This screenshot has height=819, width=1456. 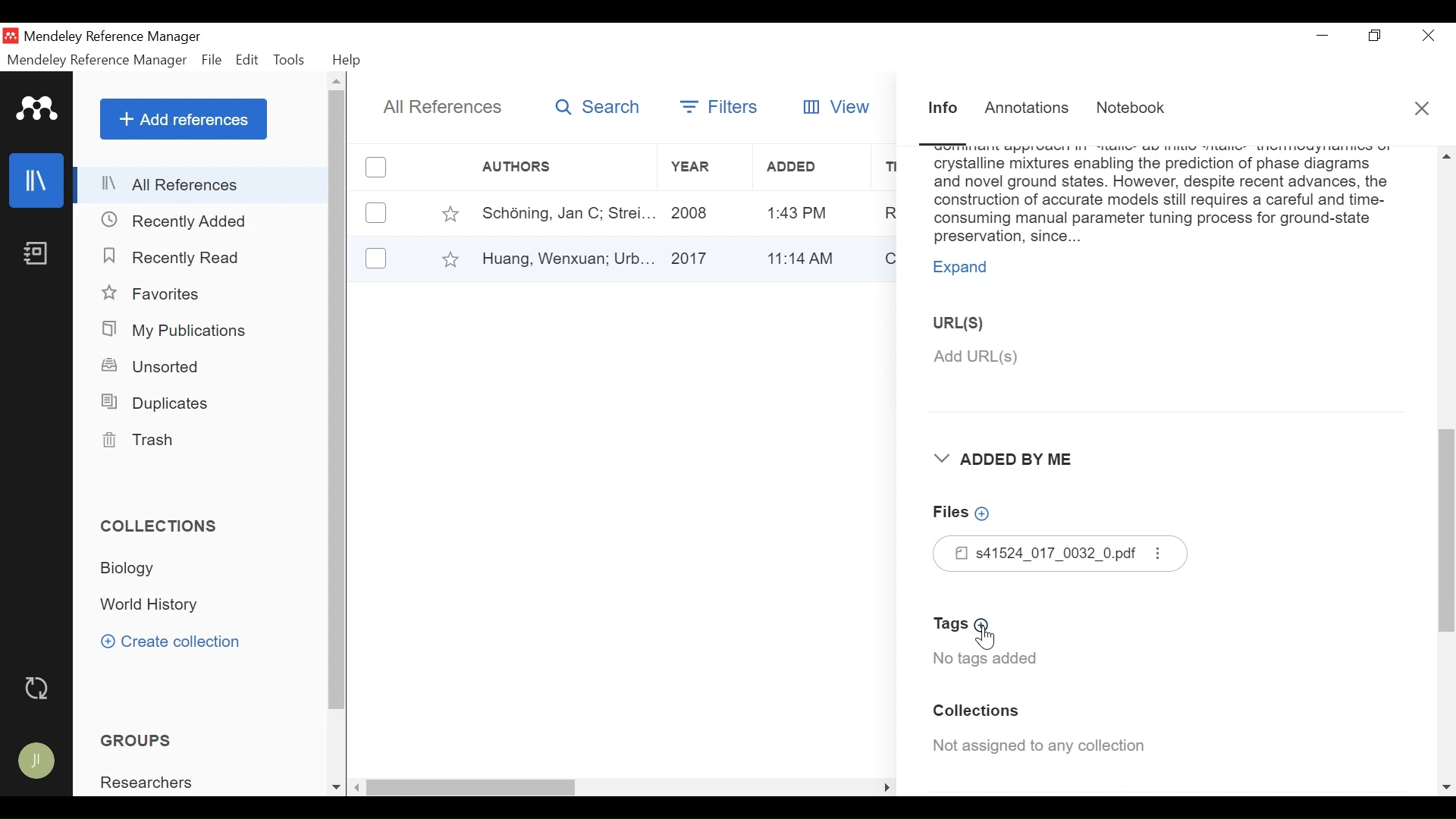 What do you see at coordinates (966, 625) in the screenshot?
I see `Add Tags` at bounding box center [966, 625].